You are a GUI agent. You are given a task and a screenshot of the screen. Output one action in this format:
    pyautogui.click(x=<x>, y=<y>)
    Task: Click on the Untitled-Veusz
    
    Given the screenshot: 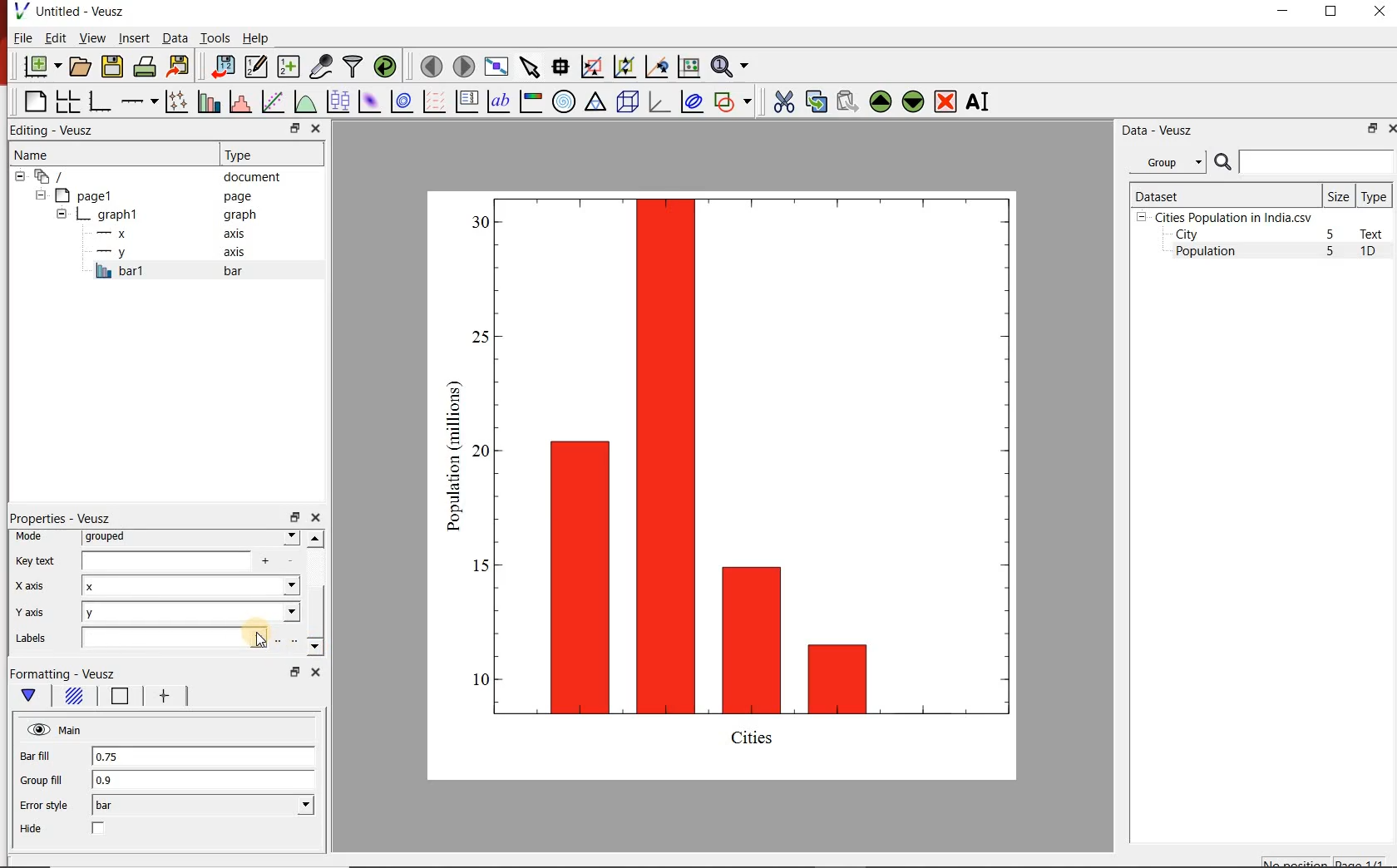 What is the action you would take?
    pyautogui.click(x=71, y=12)
    